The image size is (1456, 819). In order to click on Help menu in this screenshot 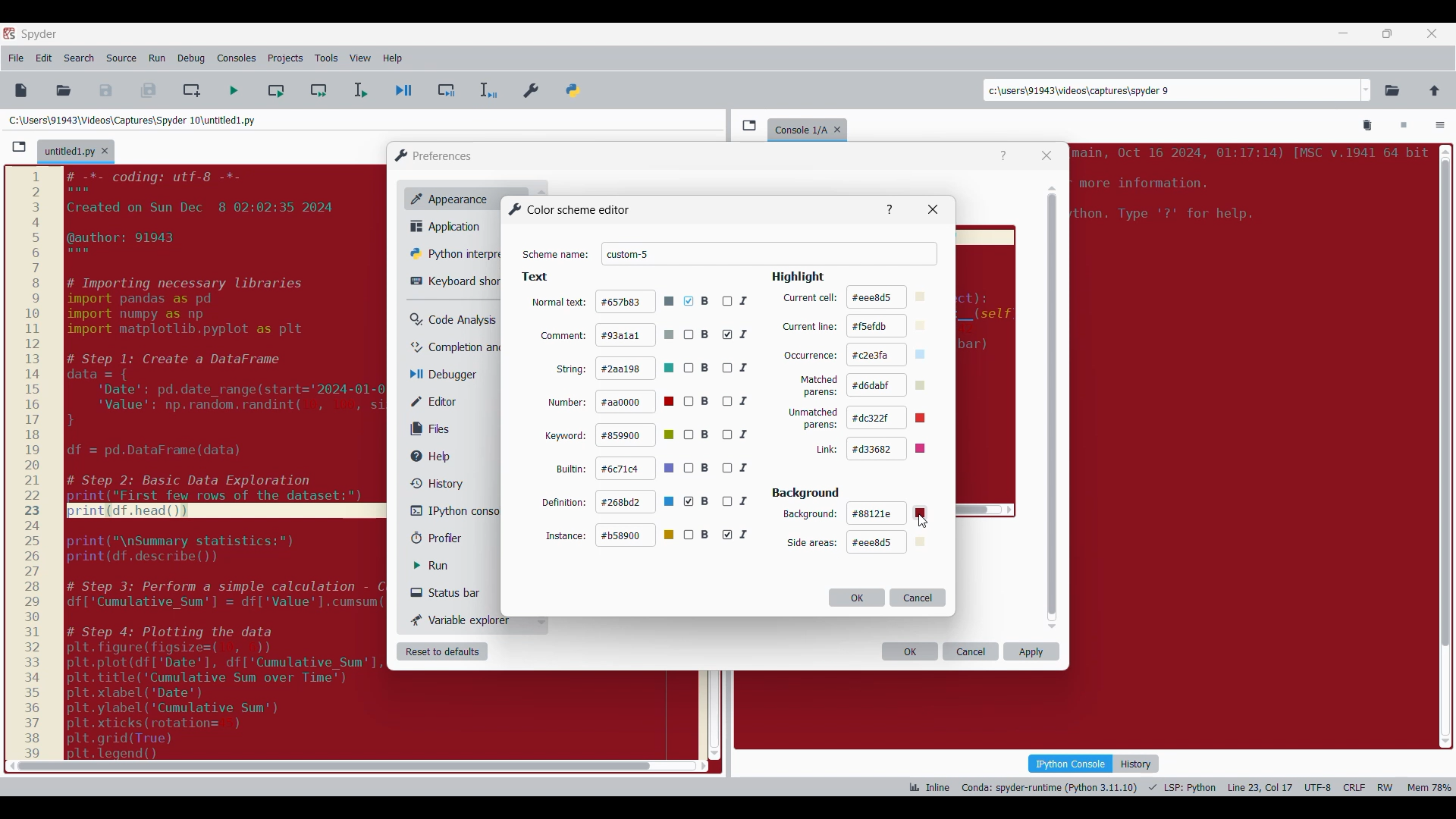, I will do `click(392, 58)`.